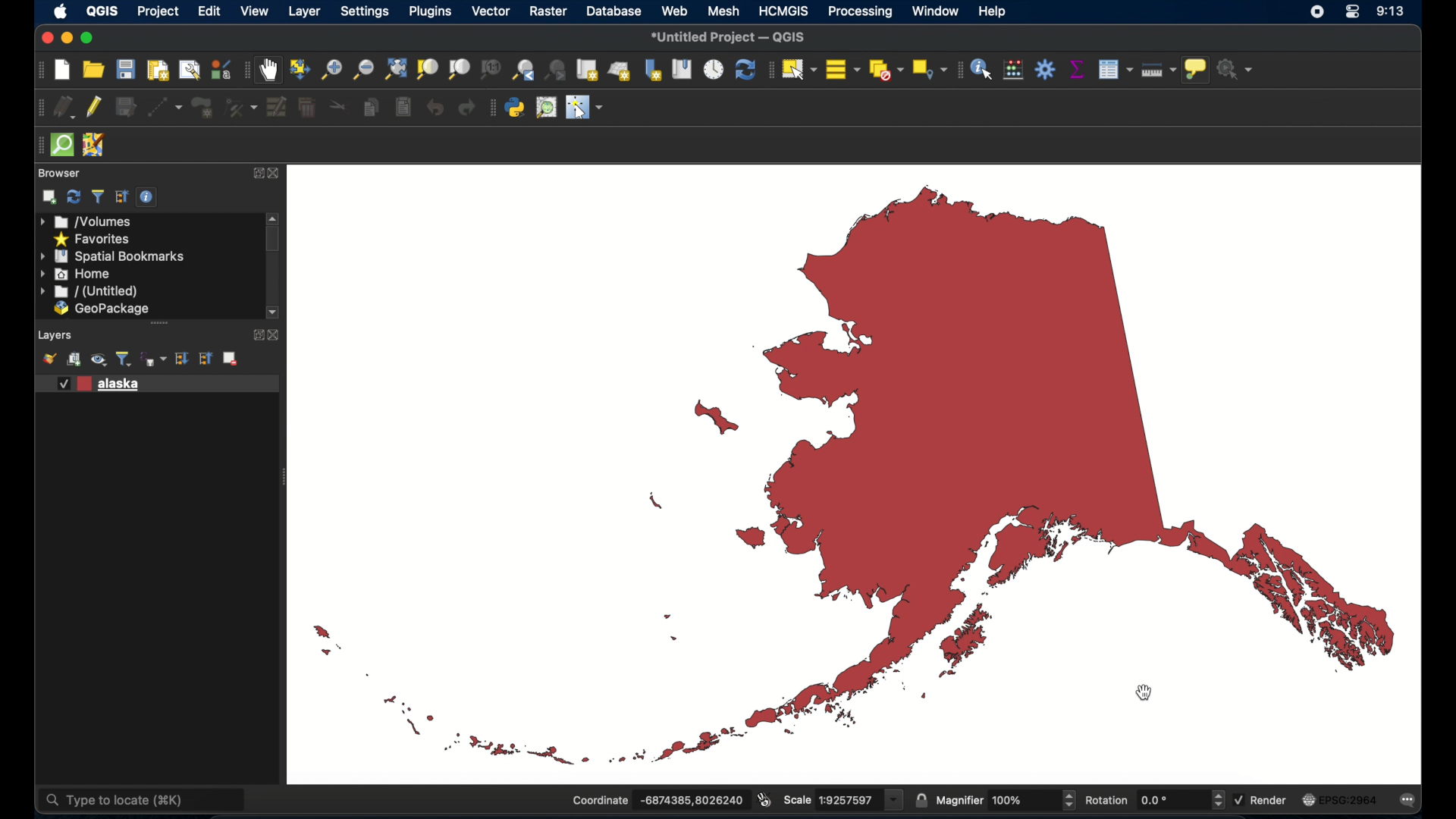 The height and width of the screenshot is (819, 1456). What do you see at coordinates (588, 69) in the screenshot?
I see `new map view` at bounding box center [588, 69].